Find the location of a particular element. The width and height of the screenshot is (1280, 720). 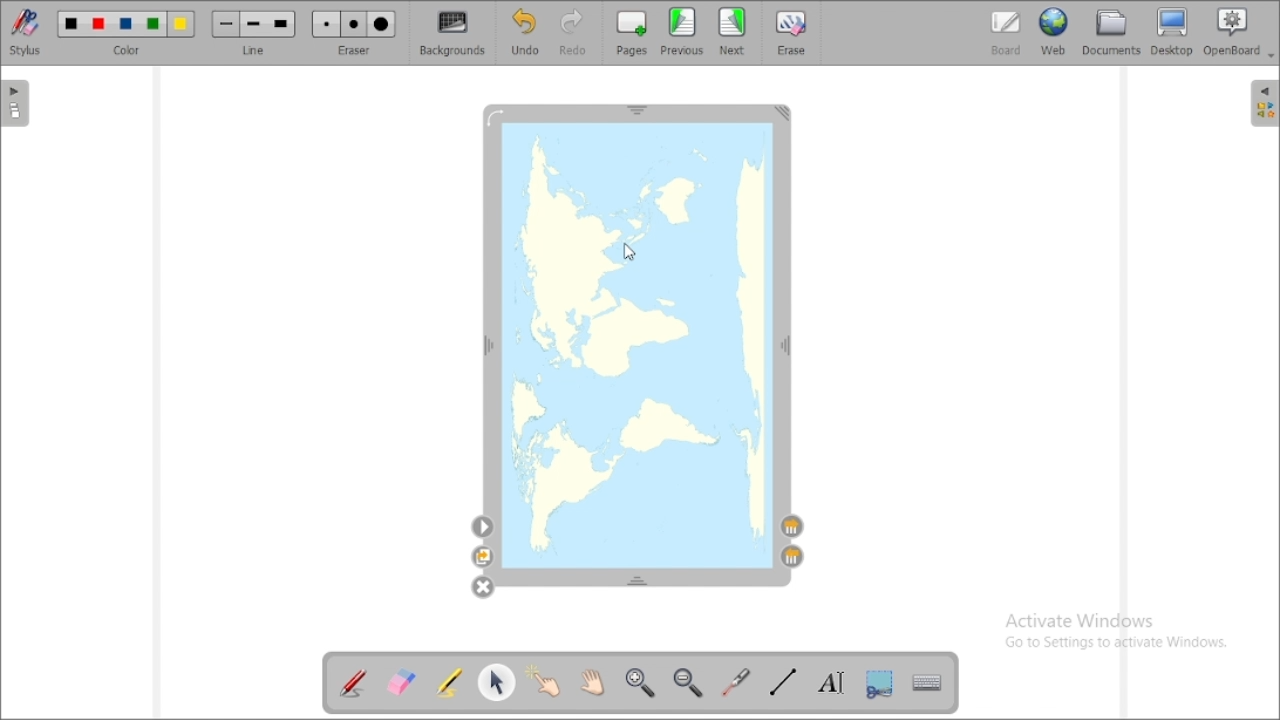

desktop is located at coordinates (1172, 31).